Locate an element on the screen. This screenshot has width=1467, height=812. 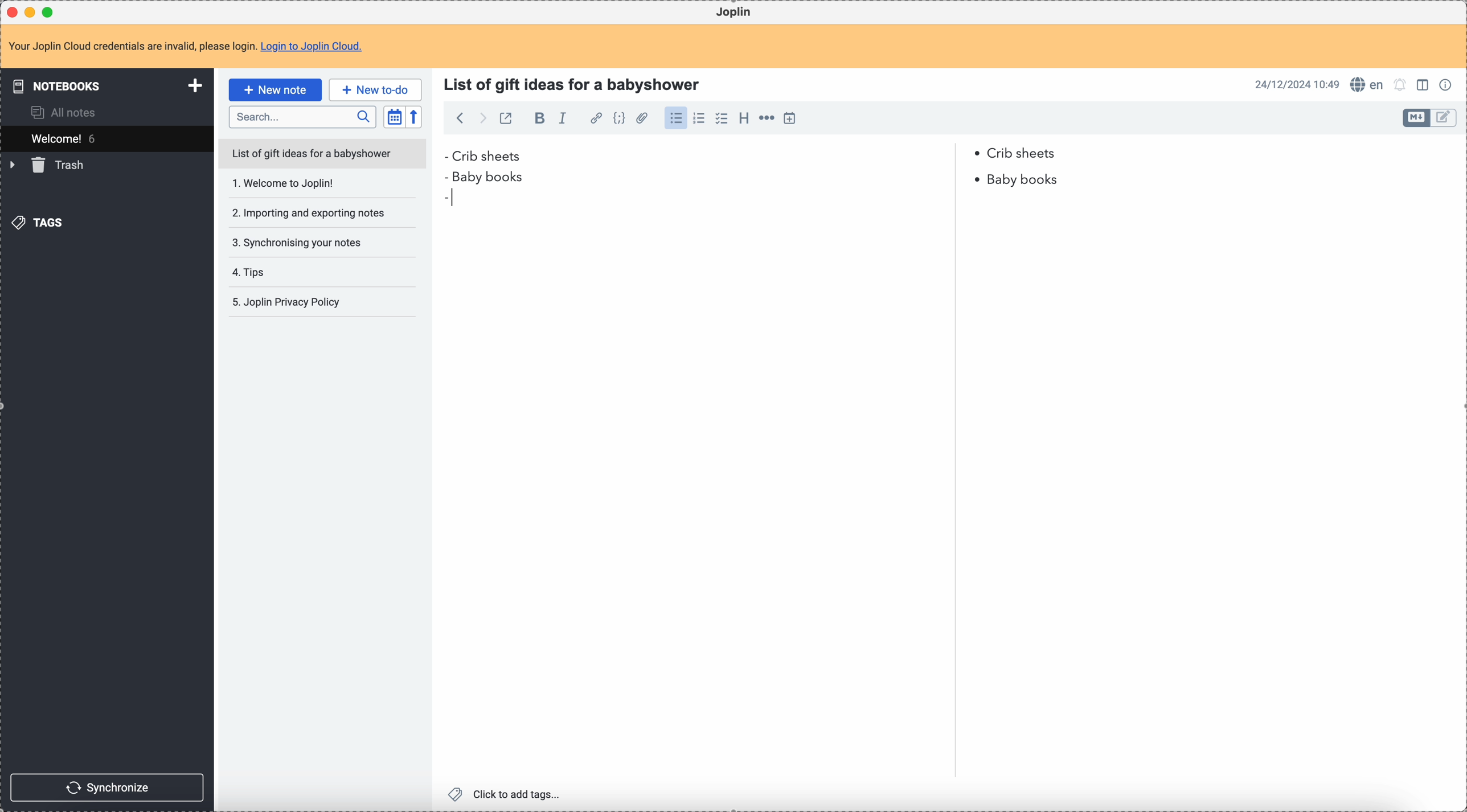
click on bulleted list is located at coordinates (679, 119).